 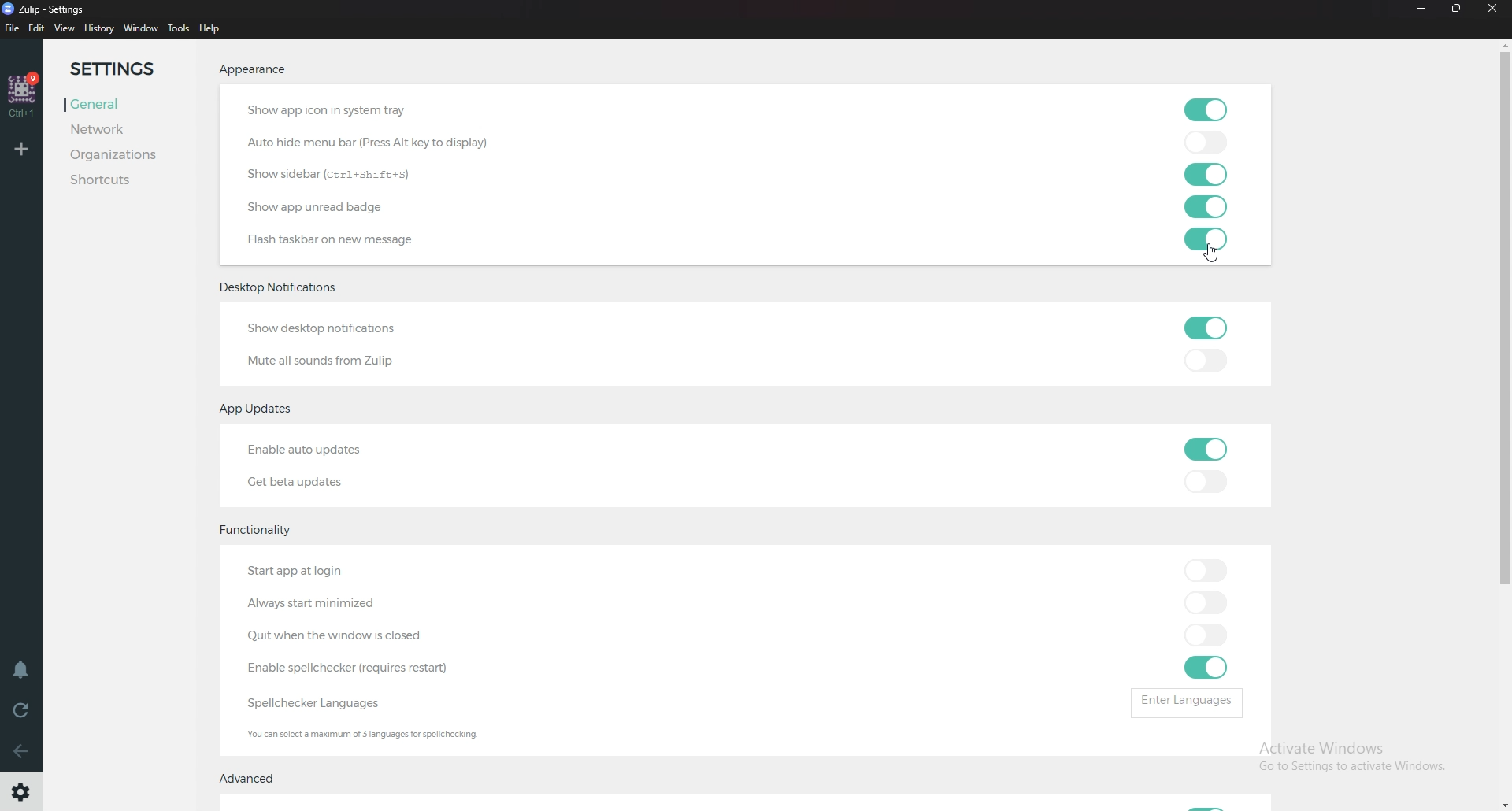 I want to click on toggle, so click(x=1203, y=569).